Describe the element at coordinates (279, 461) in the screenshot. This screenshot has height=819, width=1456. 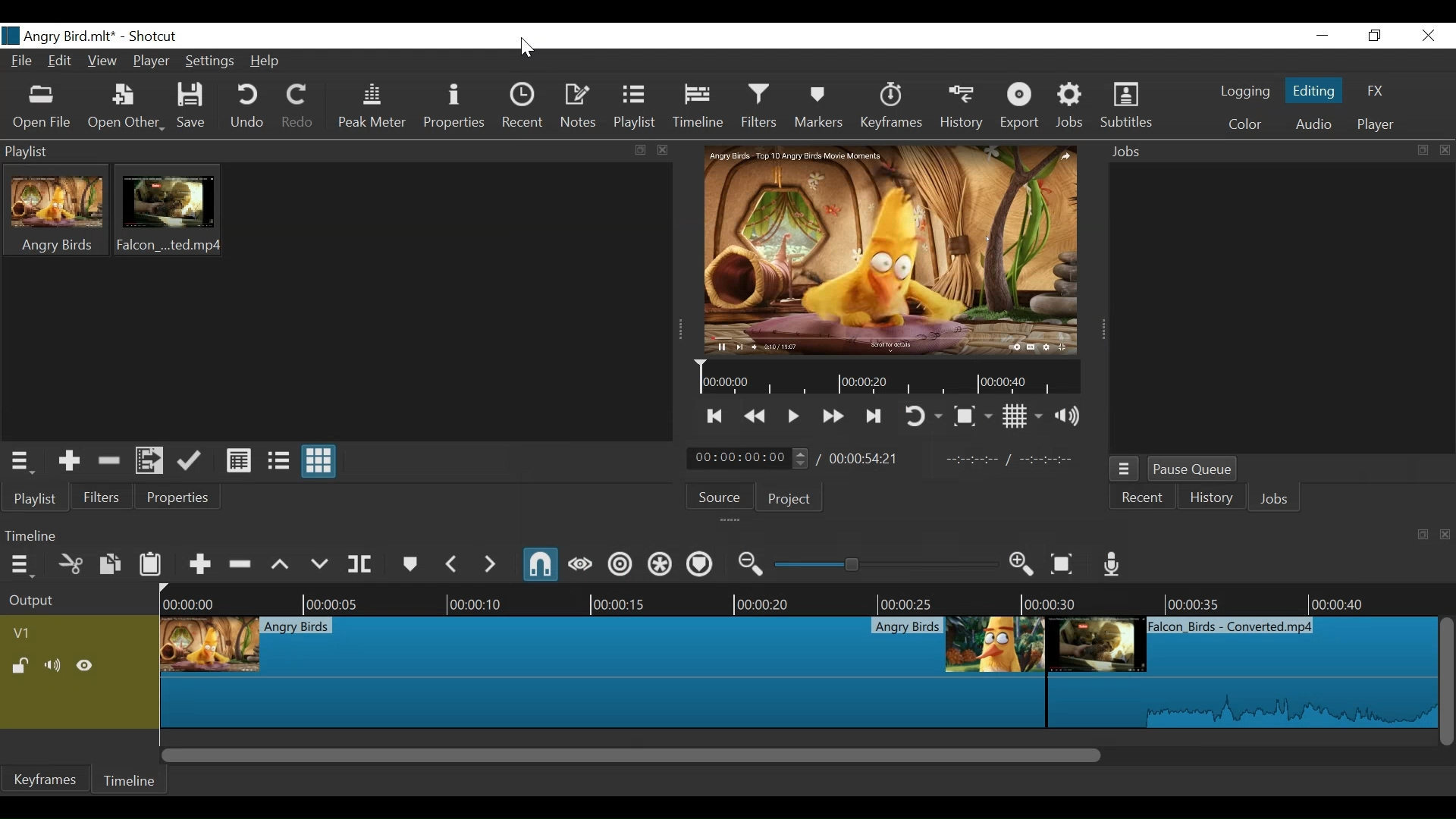
I see `View as files` at that location.